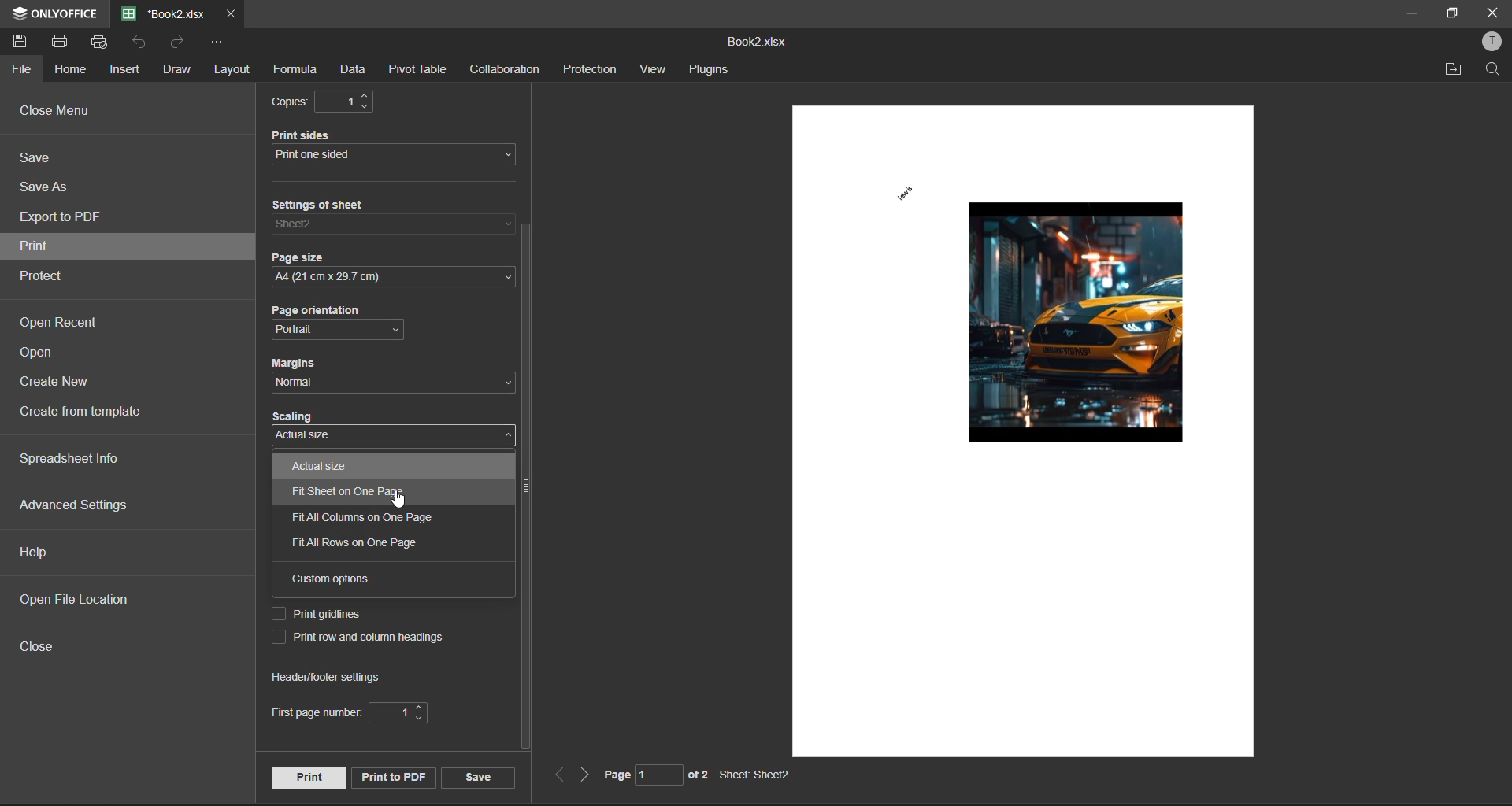  Describe the element at coordinates (592, 69) in the screenshot. I see `protection` at that location.